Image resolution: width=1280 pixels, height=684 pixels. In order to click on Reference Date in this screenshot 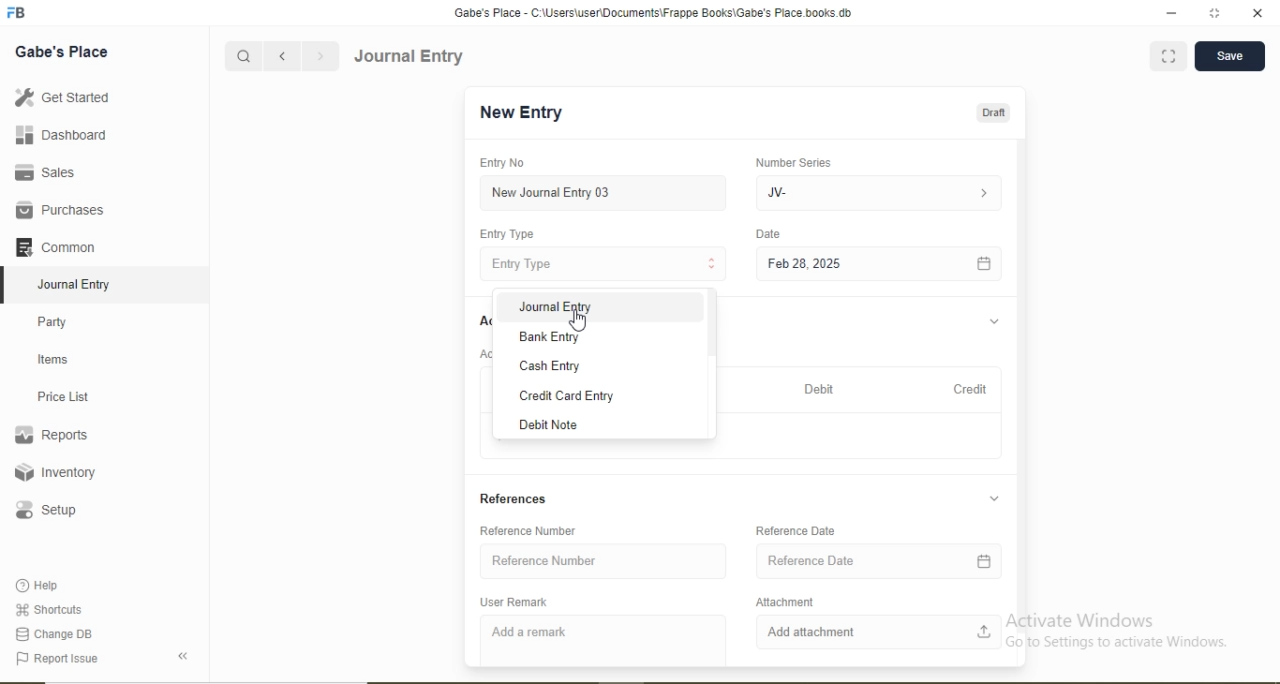, I will do `click(796, 531)`.